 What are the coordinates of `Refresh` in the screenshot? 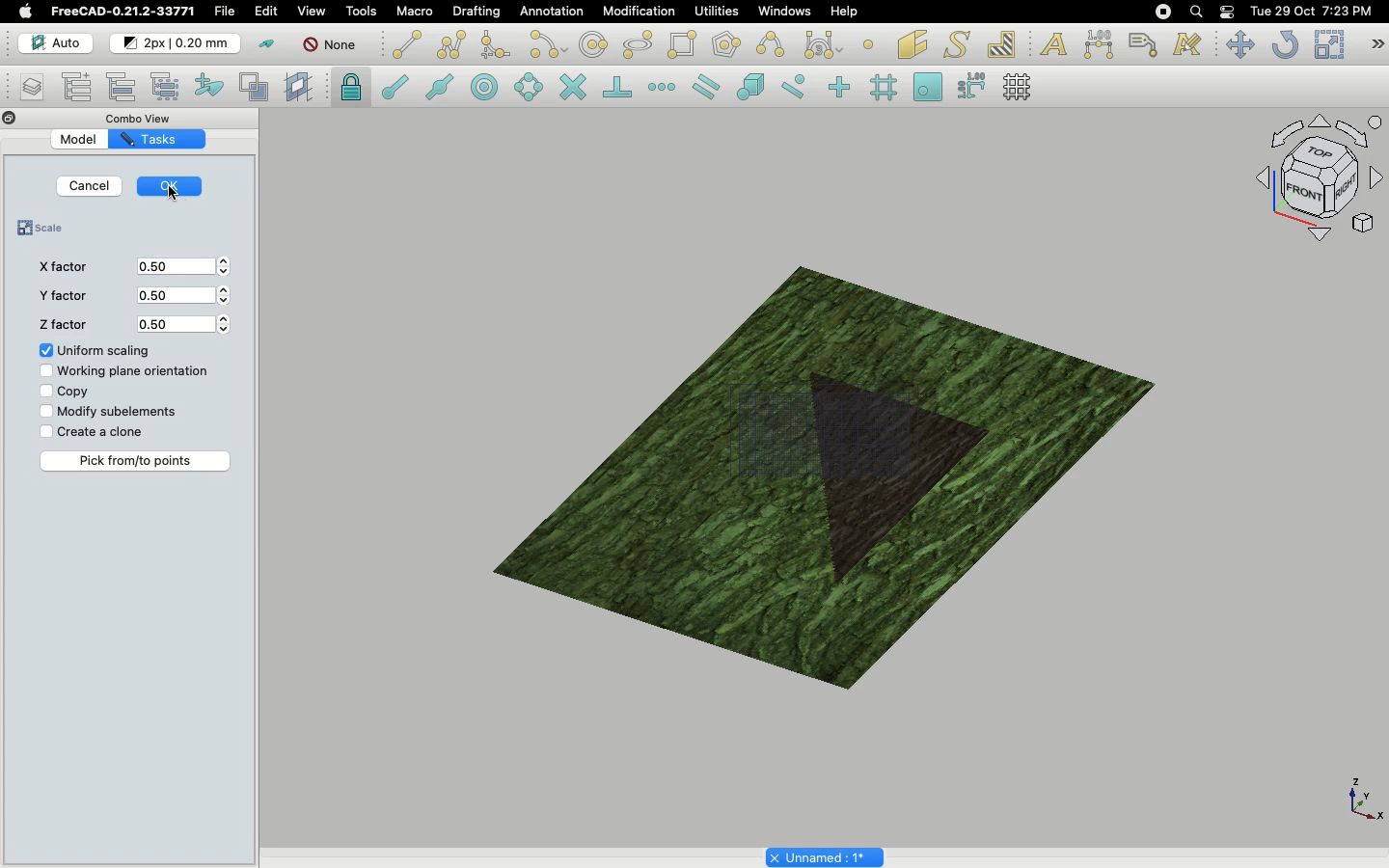 It's located at (1284, 44).